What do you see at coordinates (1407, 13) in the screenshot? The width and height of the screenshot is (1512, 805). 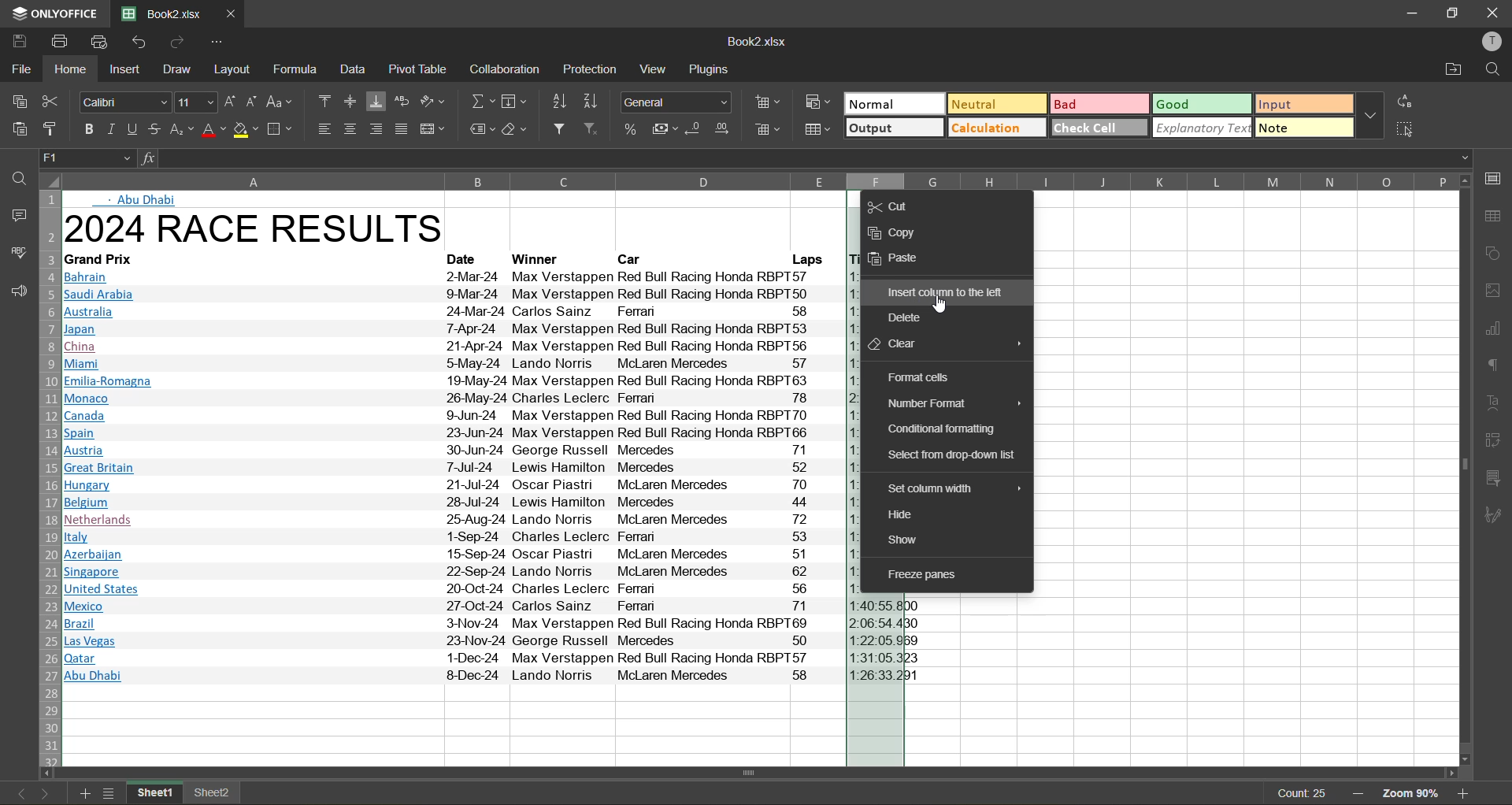 I see `minimize` at bounding box center [1407, 13].